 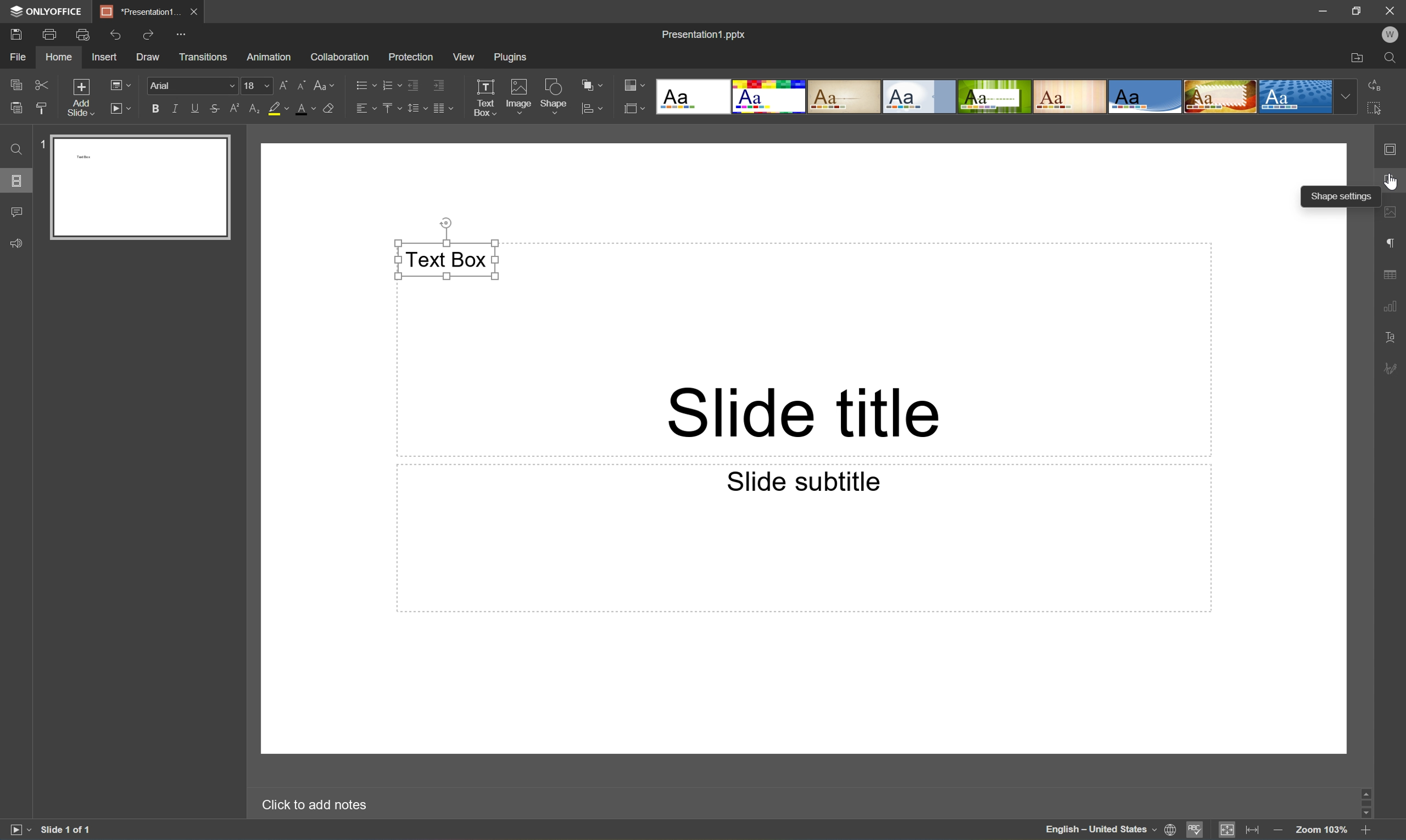 What do you see at coordinates (1343, 96) in the screenshot?
I see `Drop Down` at bounding box center [1343, 96].